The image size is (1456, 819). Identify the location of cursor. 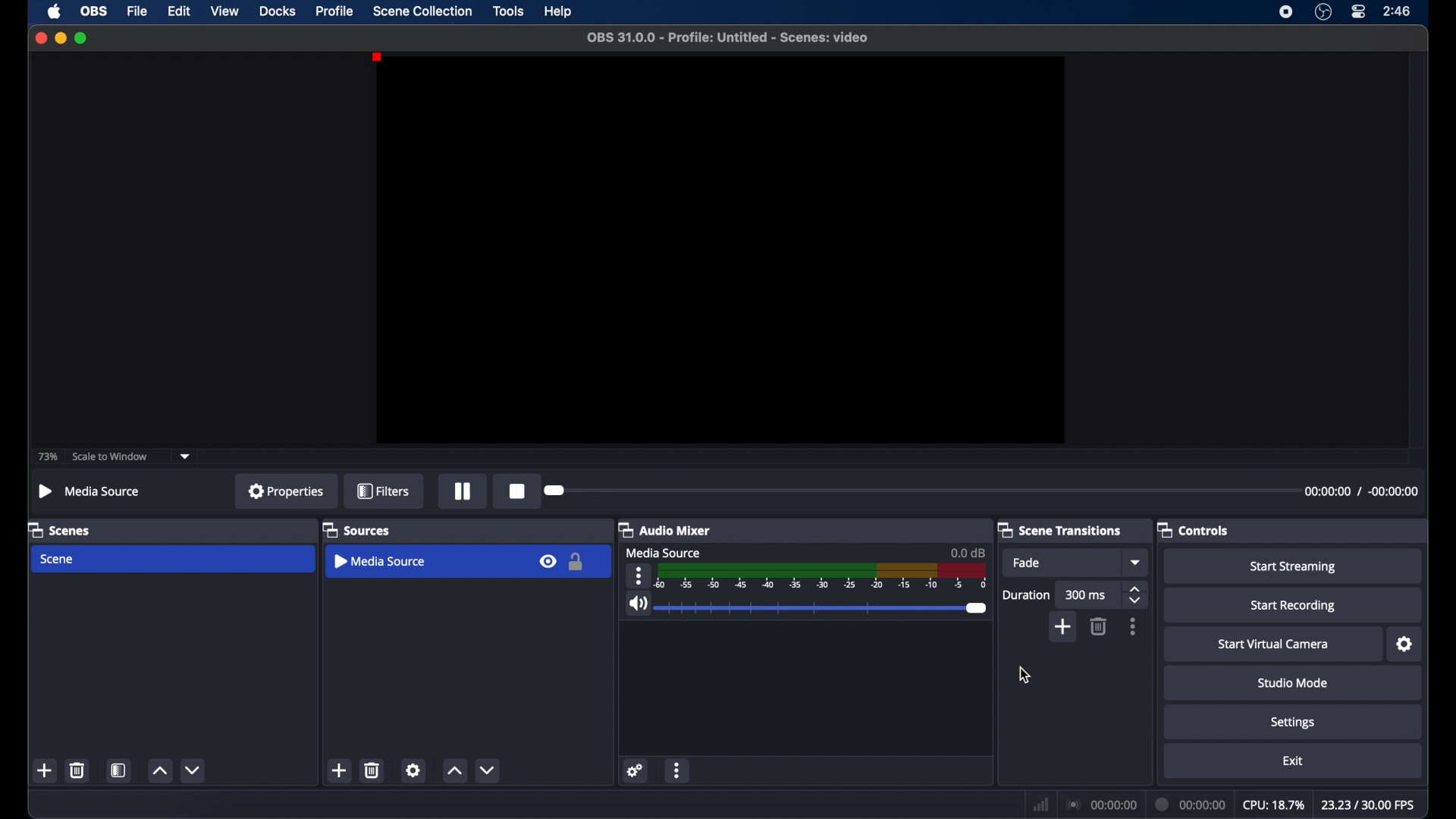
(1024, 675).